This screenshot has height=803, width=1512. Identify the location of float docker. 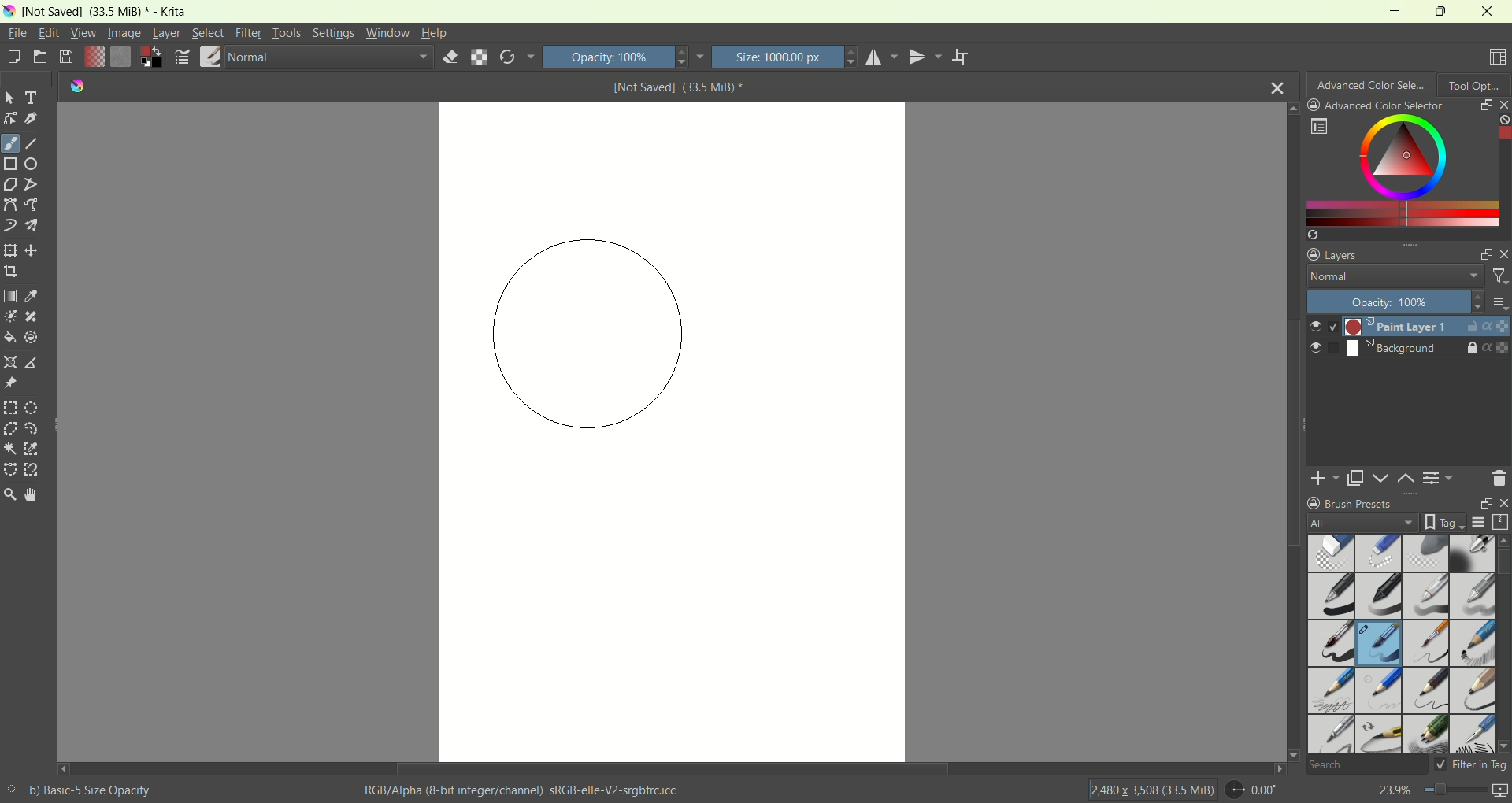
(1485, 104).